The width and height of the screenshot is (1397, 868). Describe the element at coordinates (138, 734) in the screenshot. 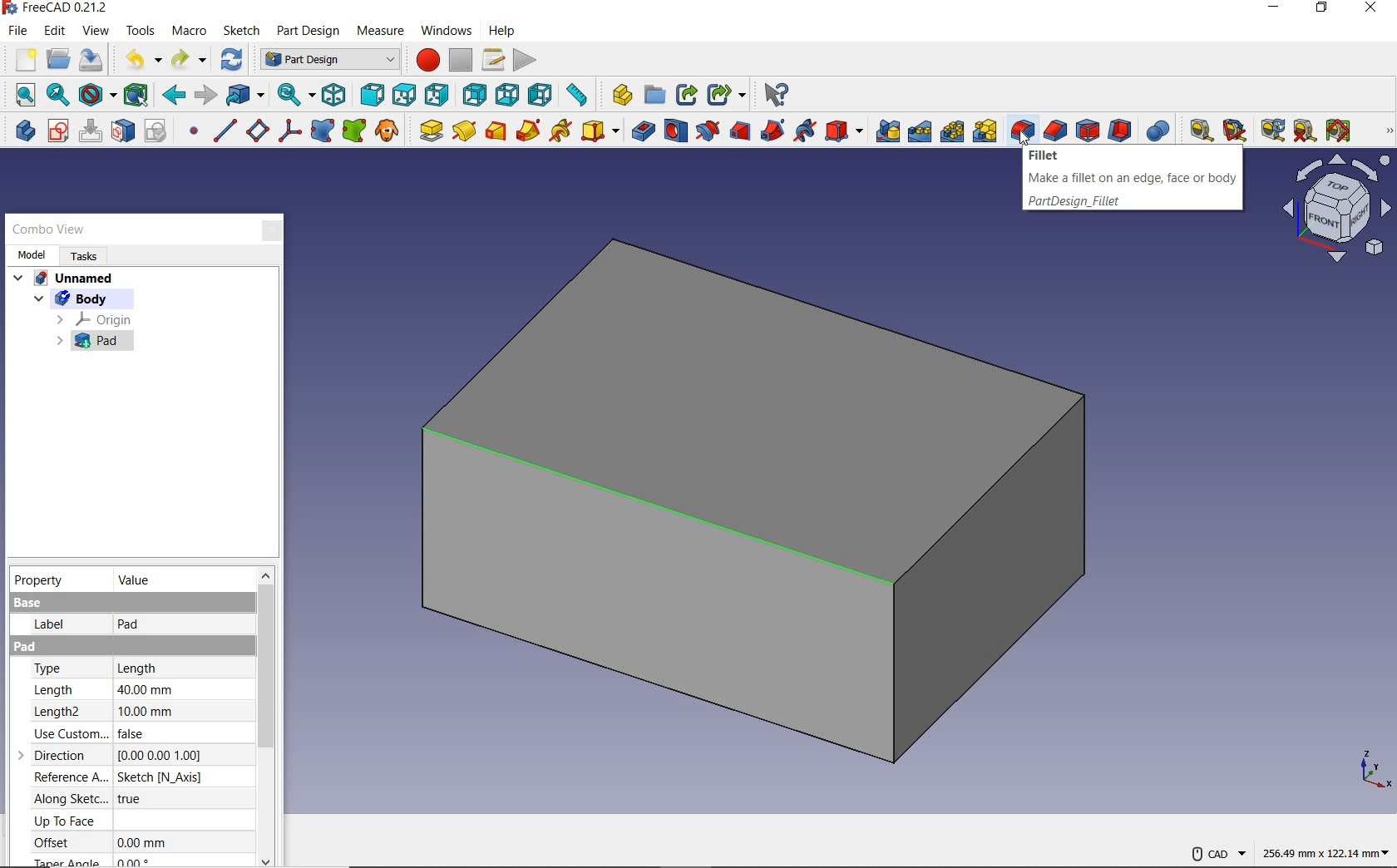

I see `false` at that location.